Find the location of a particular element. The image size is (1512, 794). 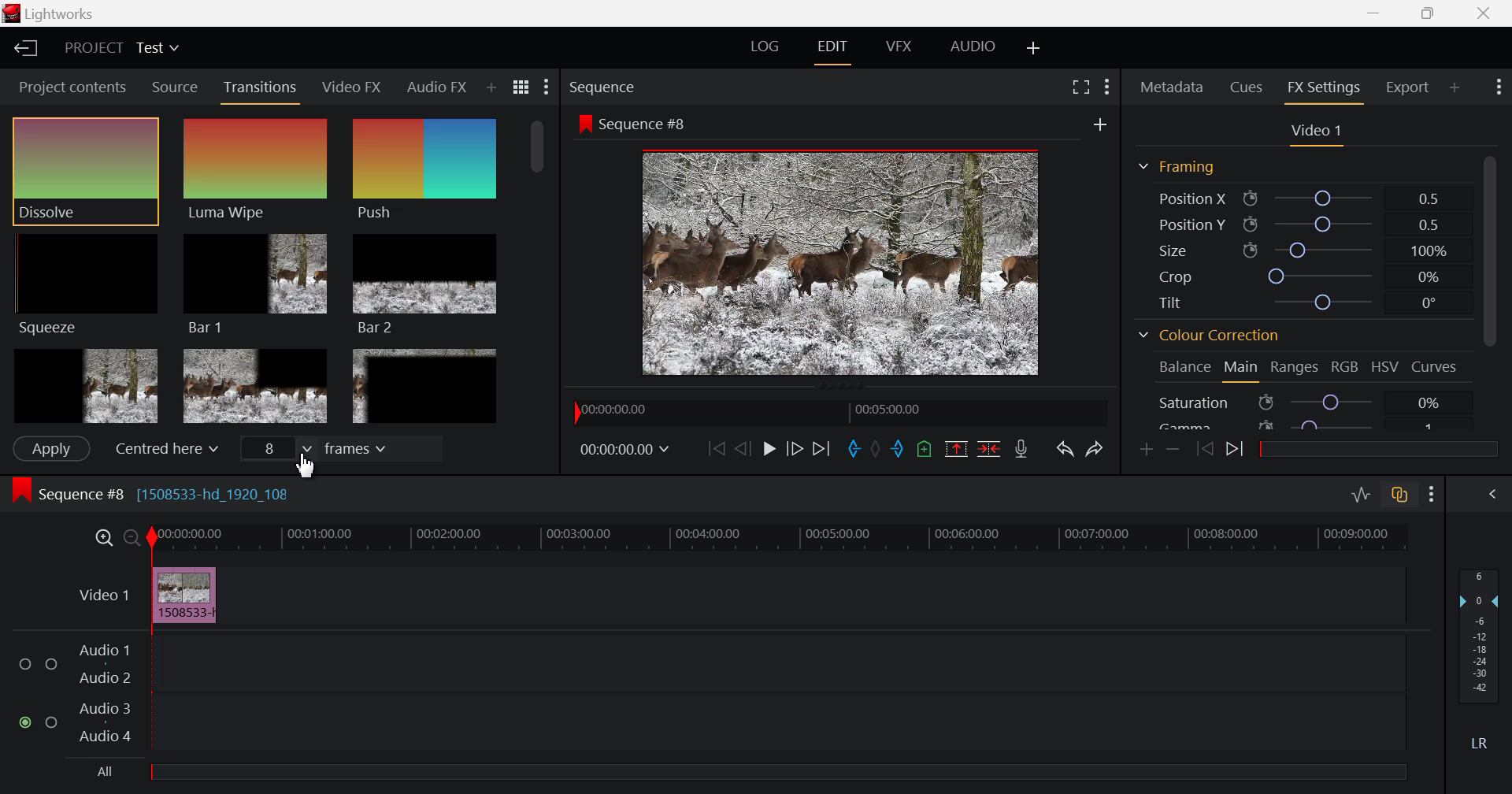

All is located at coordinates (744, 776).